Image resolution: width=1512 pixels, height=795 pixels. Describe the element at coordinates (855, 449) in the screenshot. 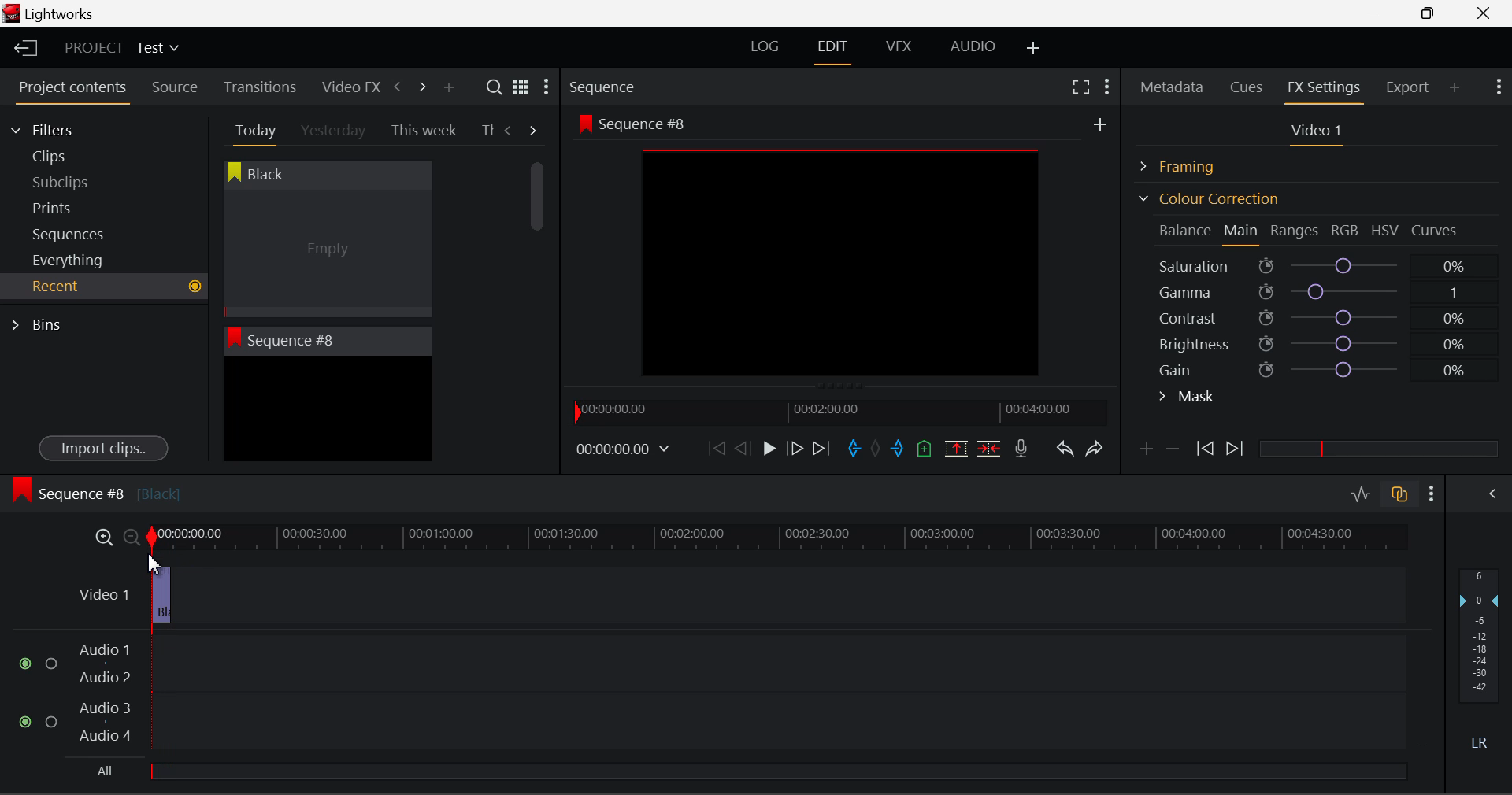

I see `Mark In` at that location.